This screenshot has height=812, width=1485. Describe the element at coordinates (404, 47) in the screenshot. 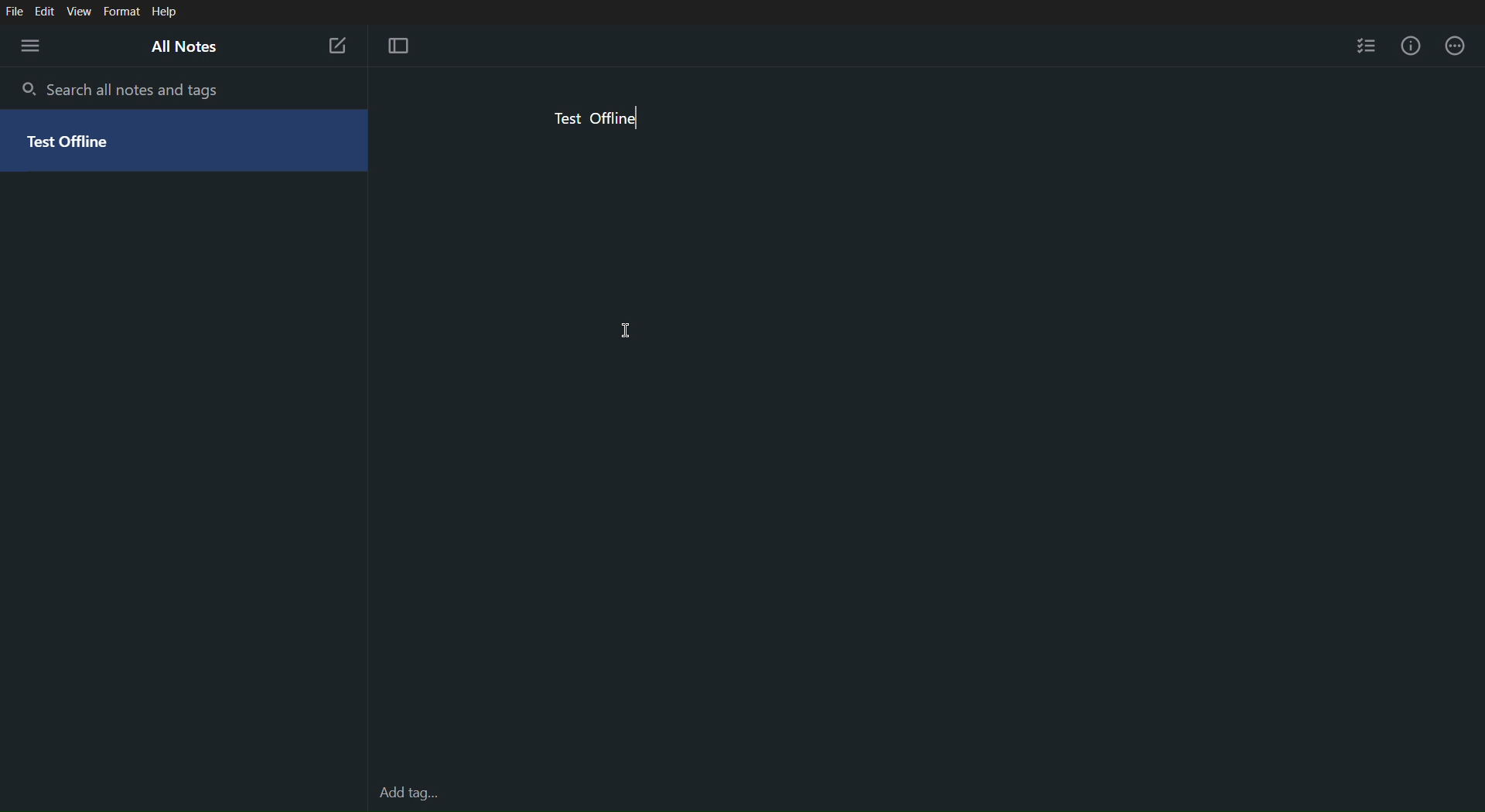

I see `Focus Mode` at that location.